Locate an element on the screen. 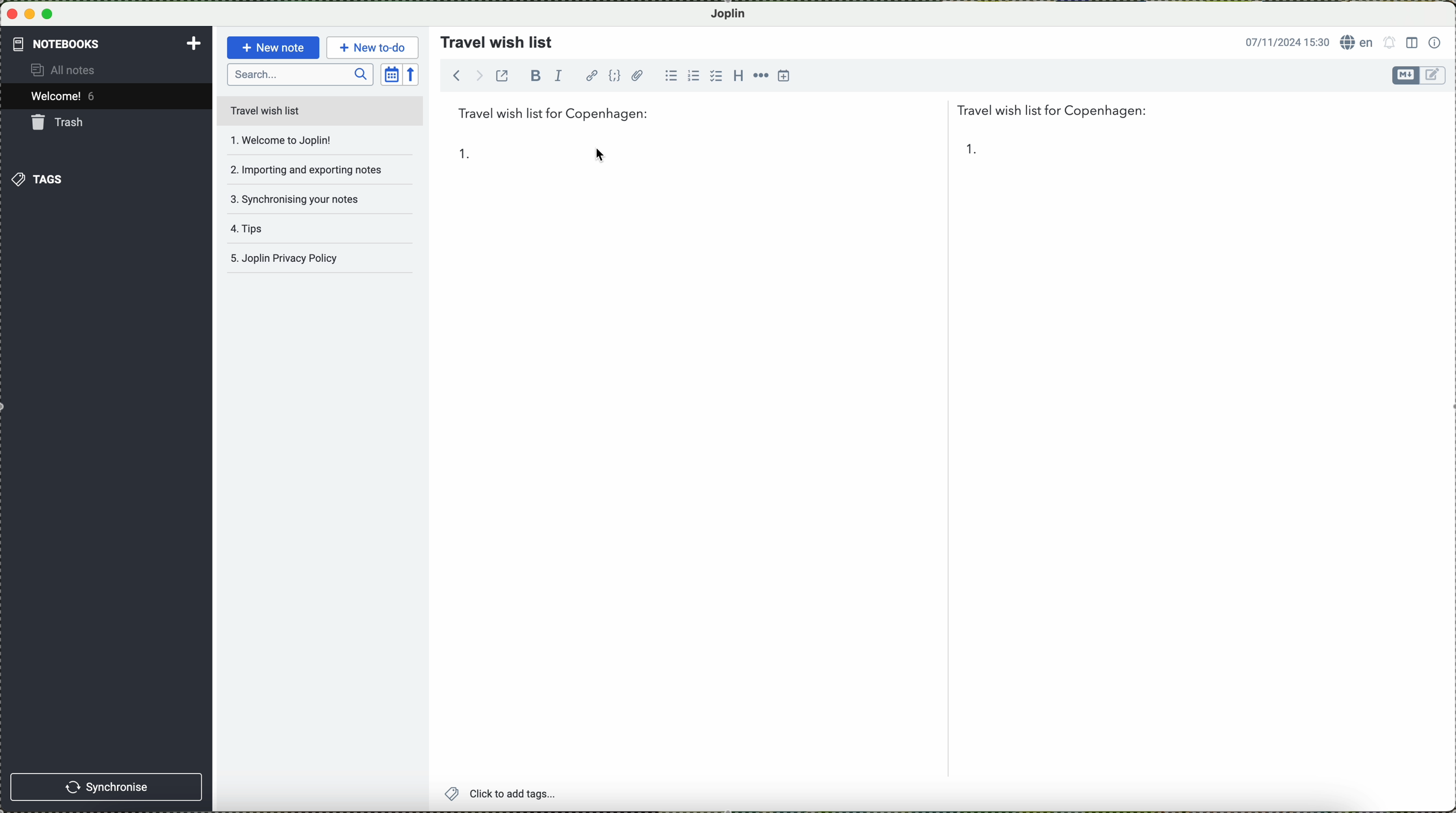  new to-do is located at coordinates (372, 46).